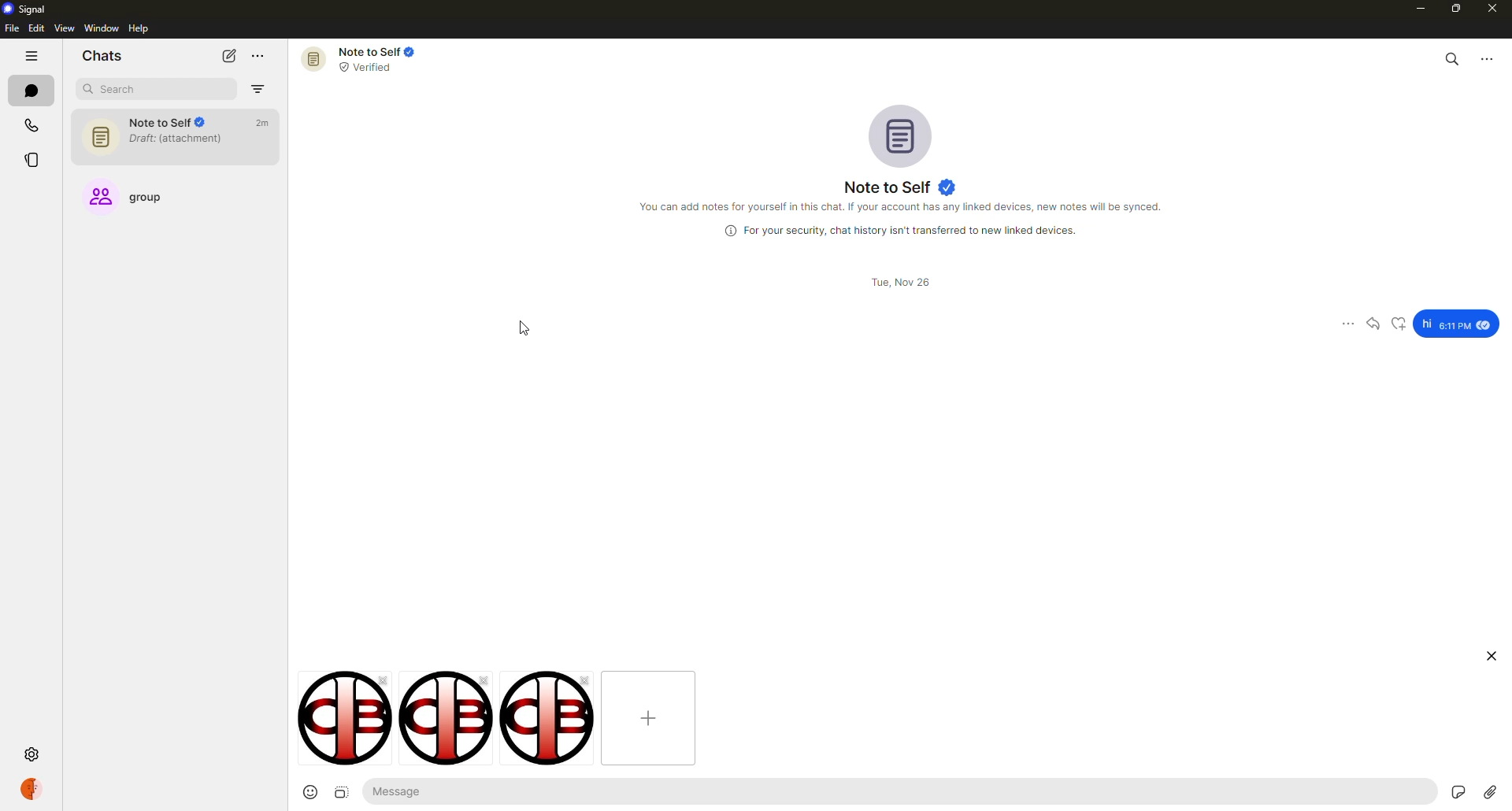 This screenshot has width=1512, height=811. What do you see at coordinates (331, 717) in the screenshot?
I see `image` at bounding box center [331, 717].